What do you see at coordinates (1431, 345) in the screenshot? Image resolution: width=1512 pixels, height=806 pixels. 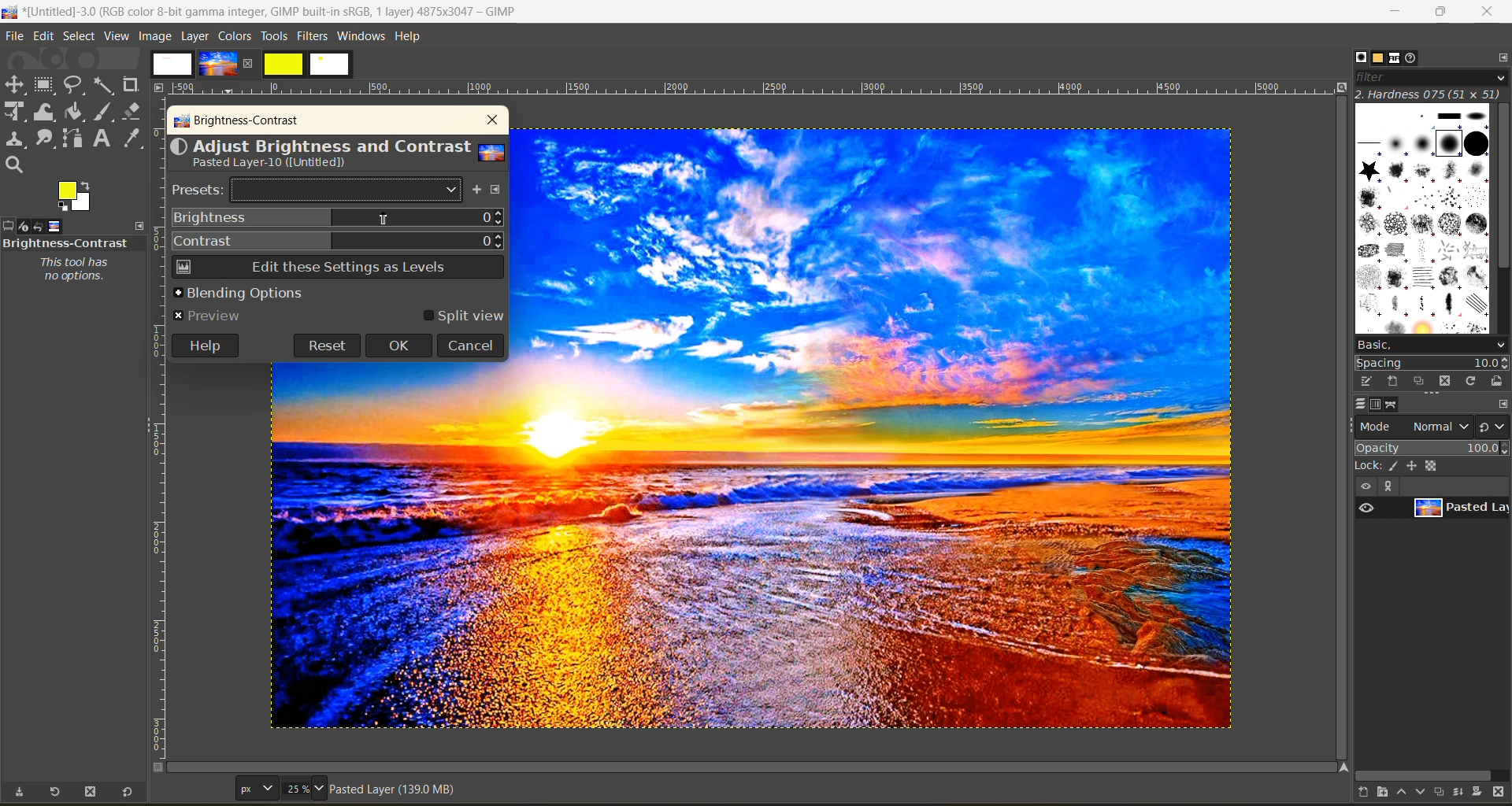 I see `basic` at bounding box center [1431, 345].